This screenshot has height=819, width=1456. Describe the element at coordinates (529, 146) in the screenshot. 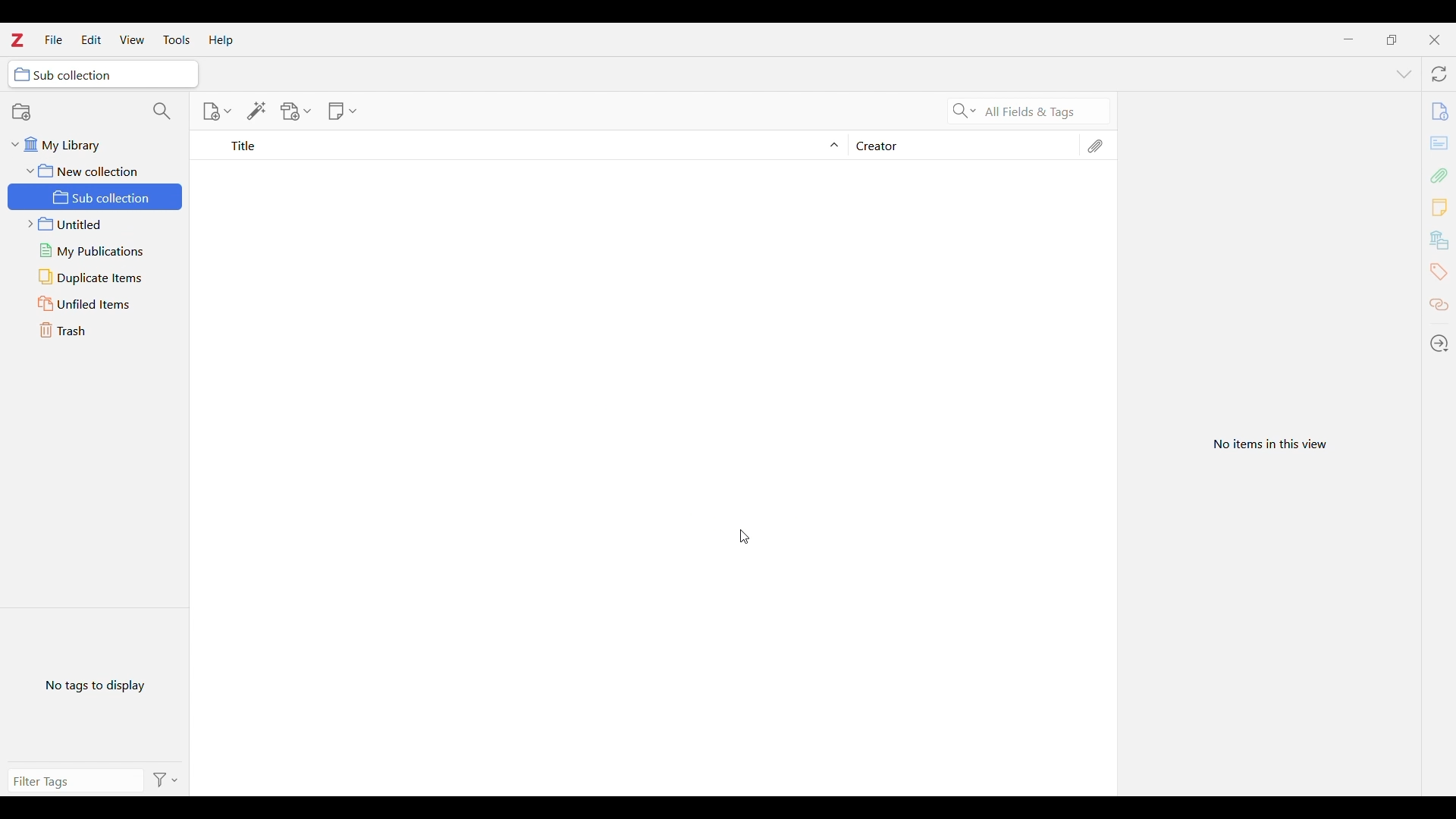

I see `Sort Title column` at that location.